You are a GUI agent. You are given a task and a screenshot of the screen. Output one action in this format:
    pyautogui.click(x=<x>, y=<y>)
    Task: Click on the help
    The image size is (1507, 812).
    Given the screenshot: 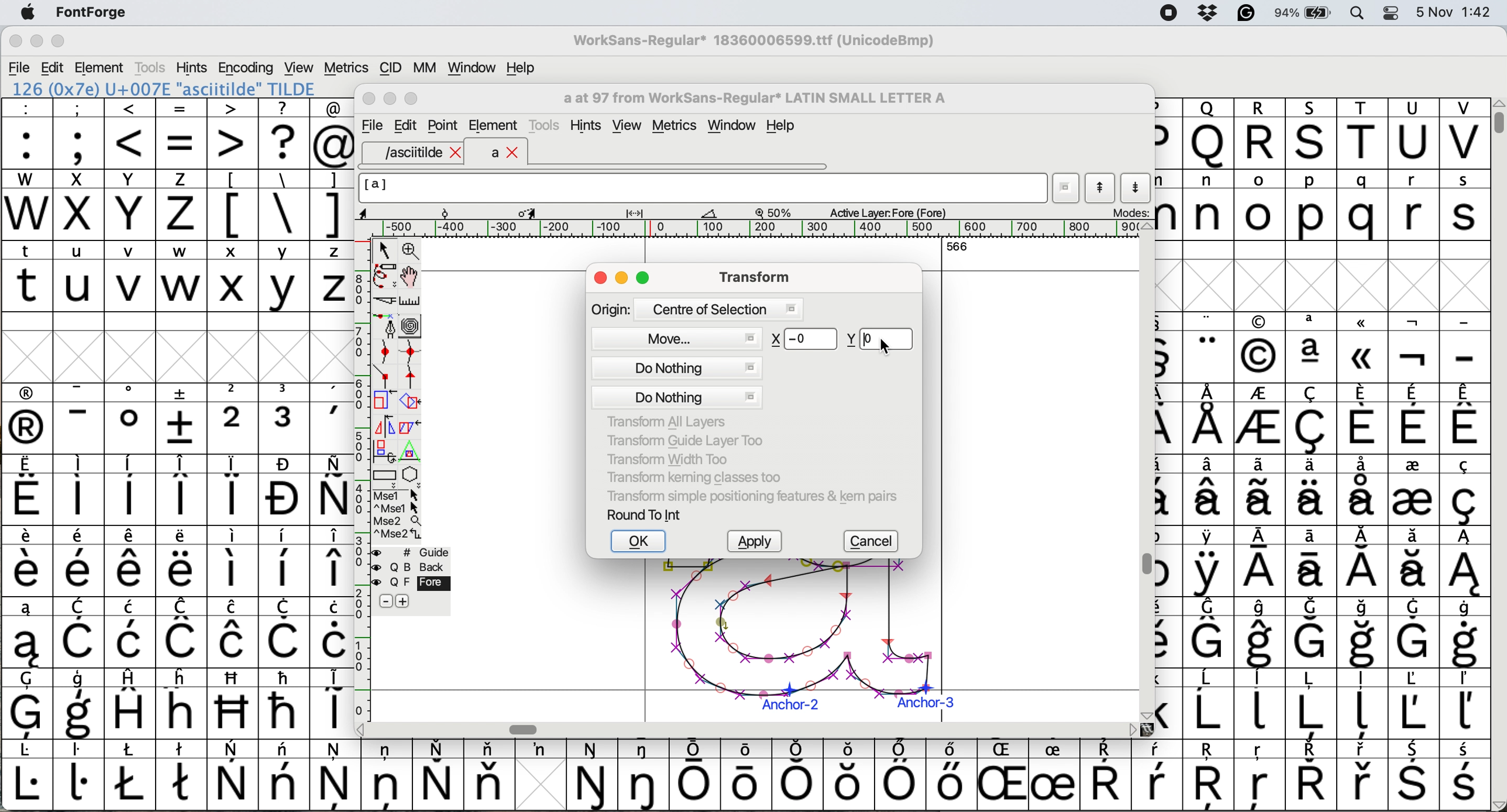 What is the action you would take?
    pyautogui.click(x=522, y=67)
    